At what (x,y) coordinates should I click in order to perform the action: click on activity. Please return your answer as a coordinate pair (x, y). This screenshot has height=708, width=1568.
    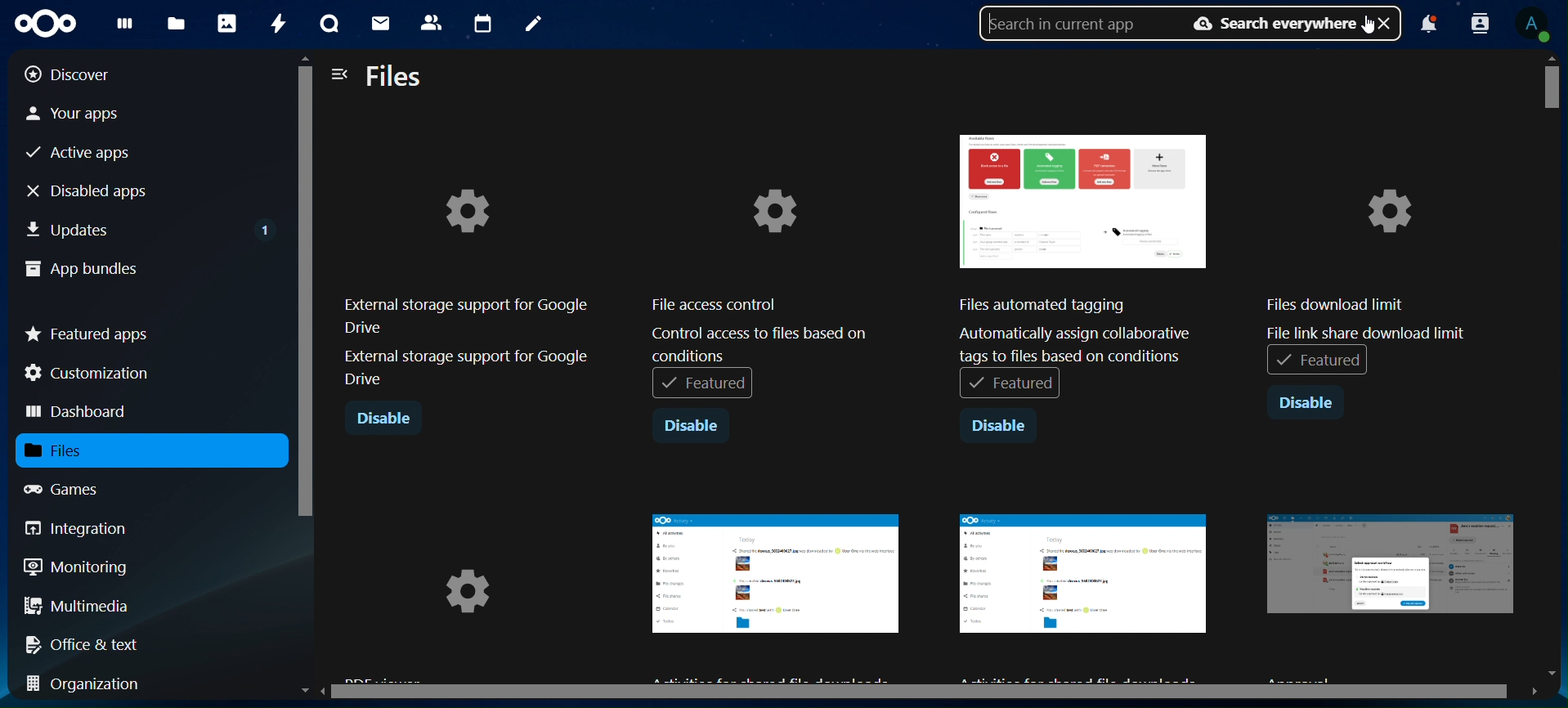
    Looking at the image, I should click on (276, 24).